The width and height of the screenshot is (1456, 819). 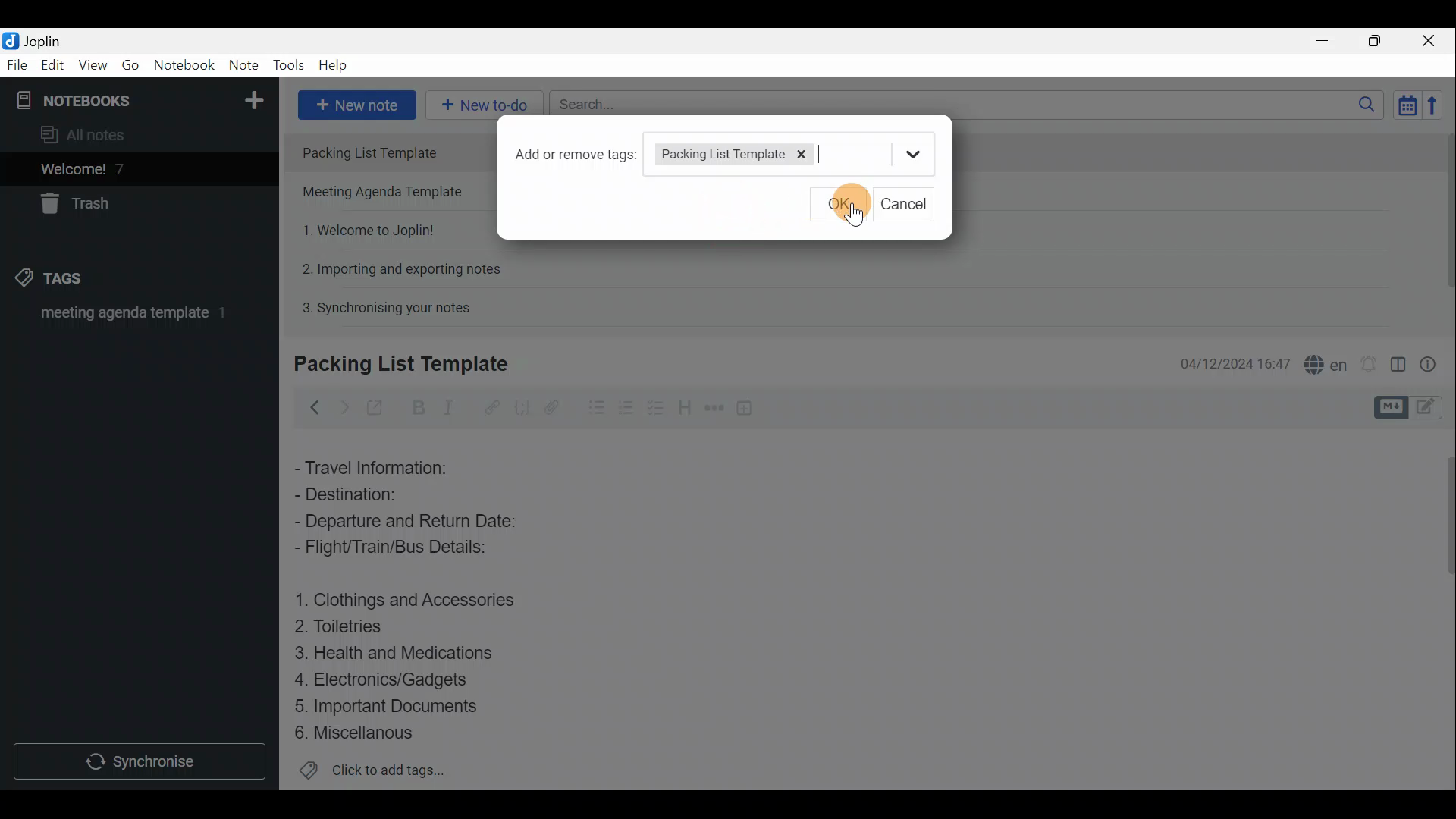 I want to click on Creating new note, so click(x=392, y=365).